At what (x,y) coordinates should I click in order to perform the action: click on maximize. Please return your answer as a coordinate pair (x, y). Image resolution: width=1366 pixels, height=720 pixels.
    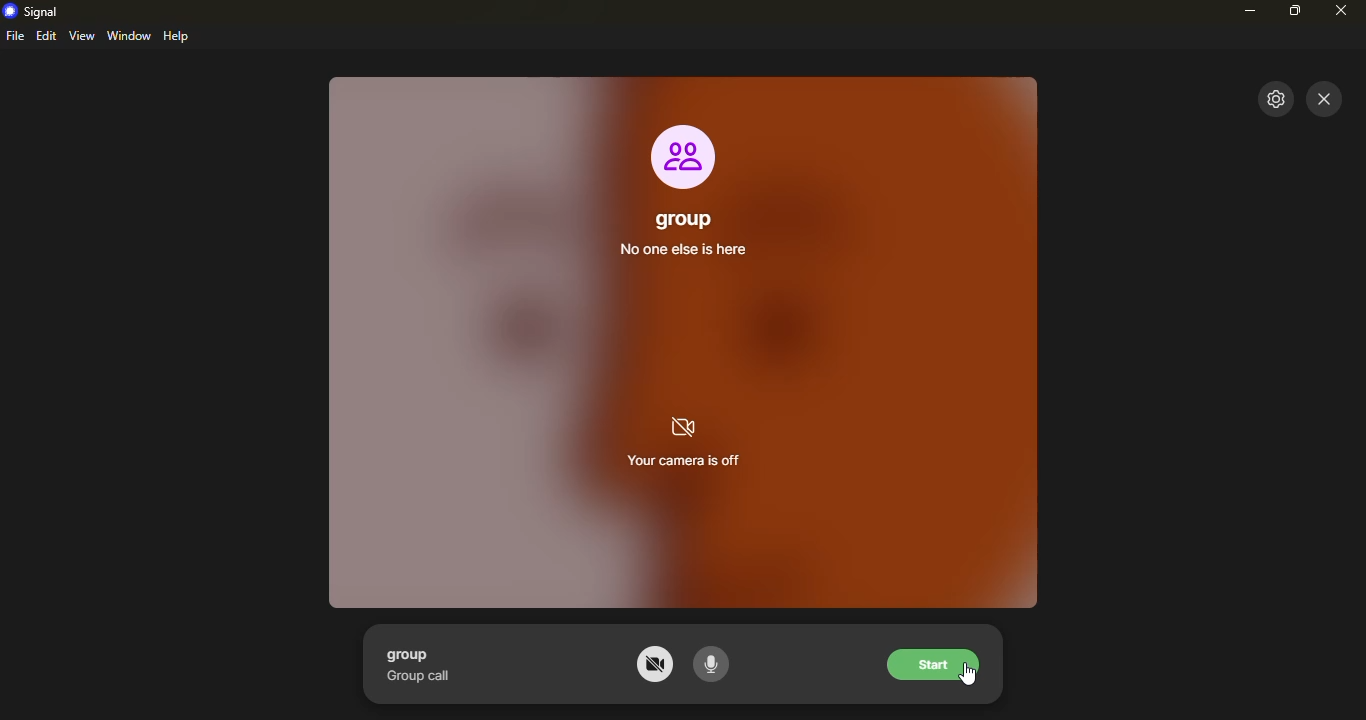
    Looking at the image, I should click on (1294, 9).